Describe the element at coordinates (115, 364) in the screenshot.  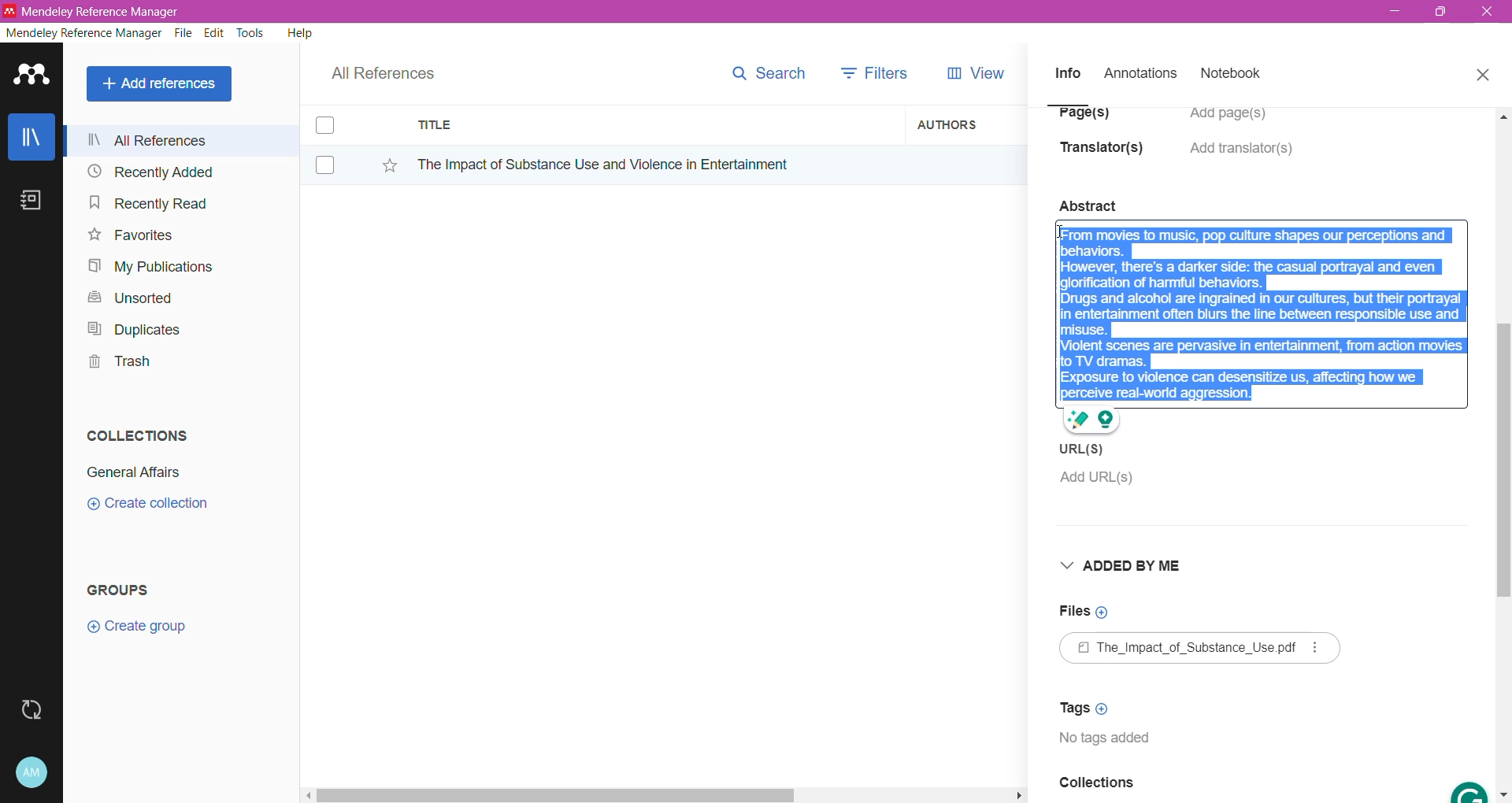
I see `Trash` at that location.